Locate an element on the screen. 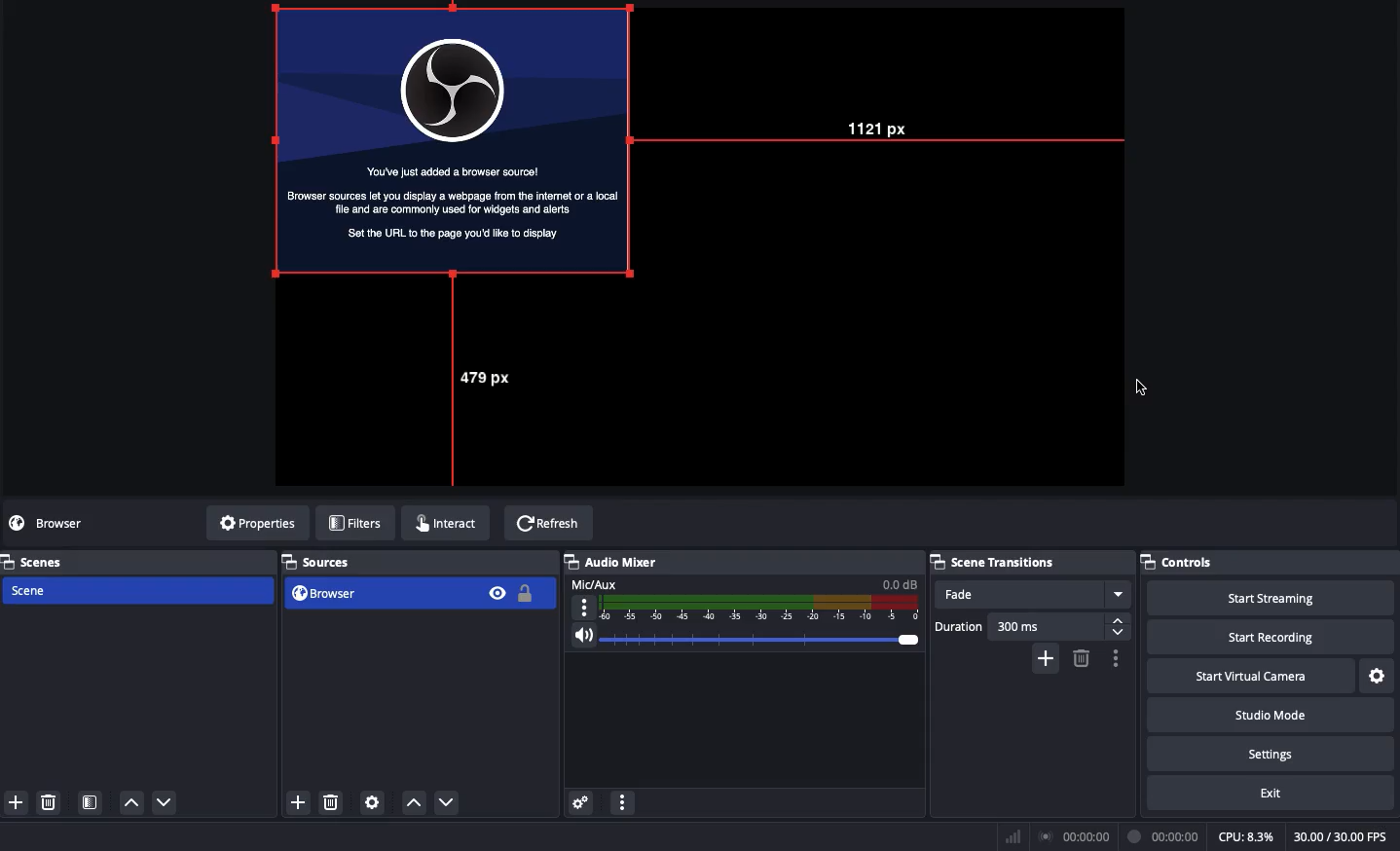  Remove is located at coordinates (1082, 658).